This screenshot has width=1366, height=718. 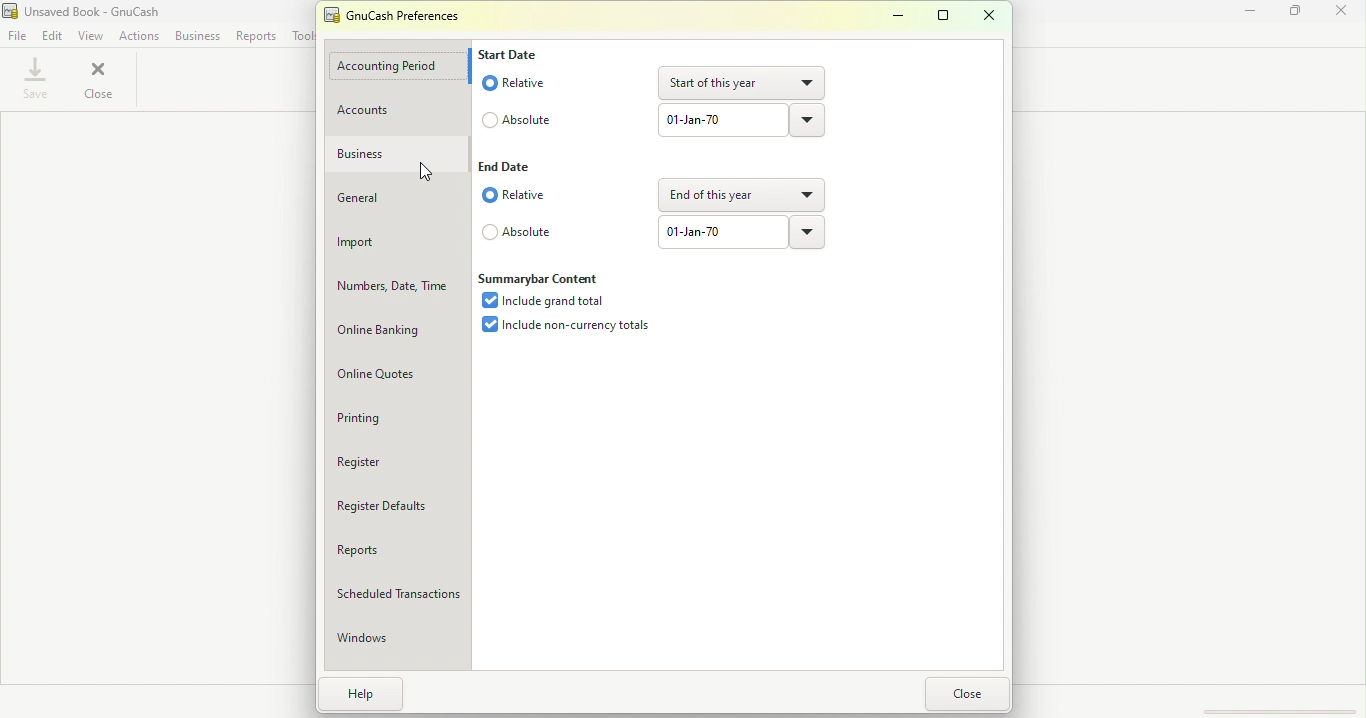 I want to click on GnuCash preferences, so click(x=397, y=17).